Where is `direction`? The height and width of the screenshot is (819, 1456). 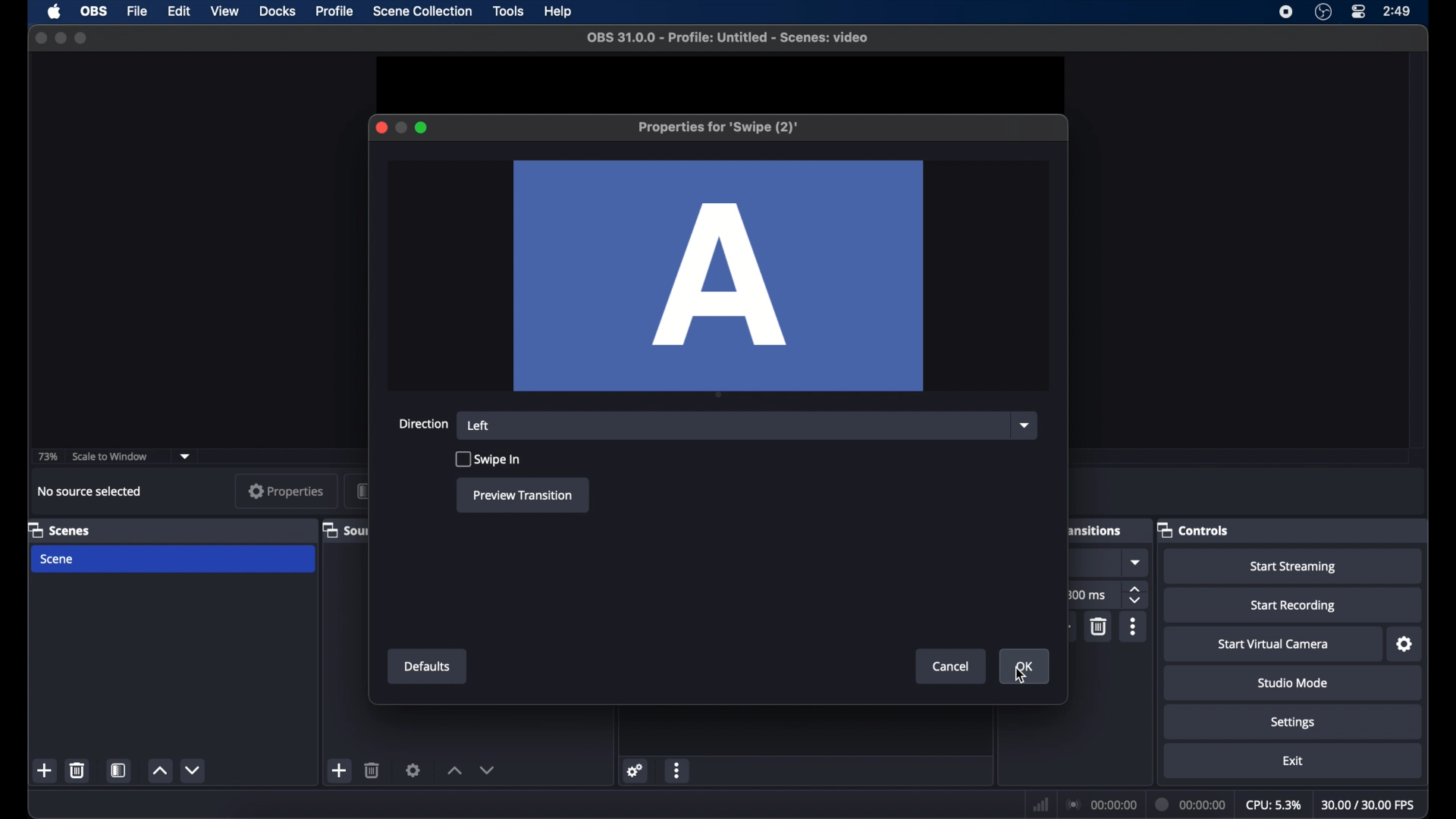 direction is located at coordinates (422, 423).